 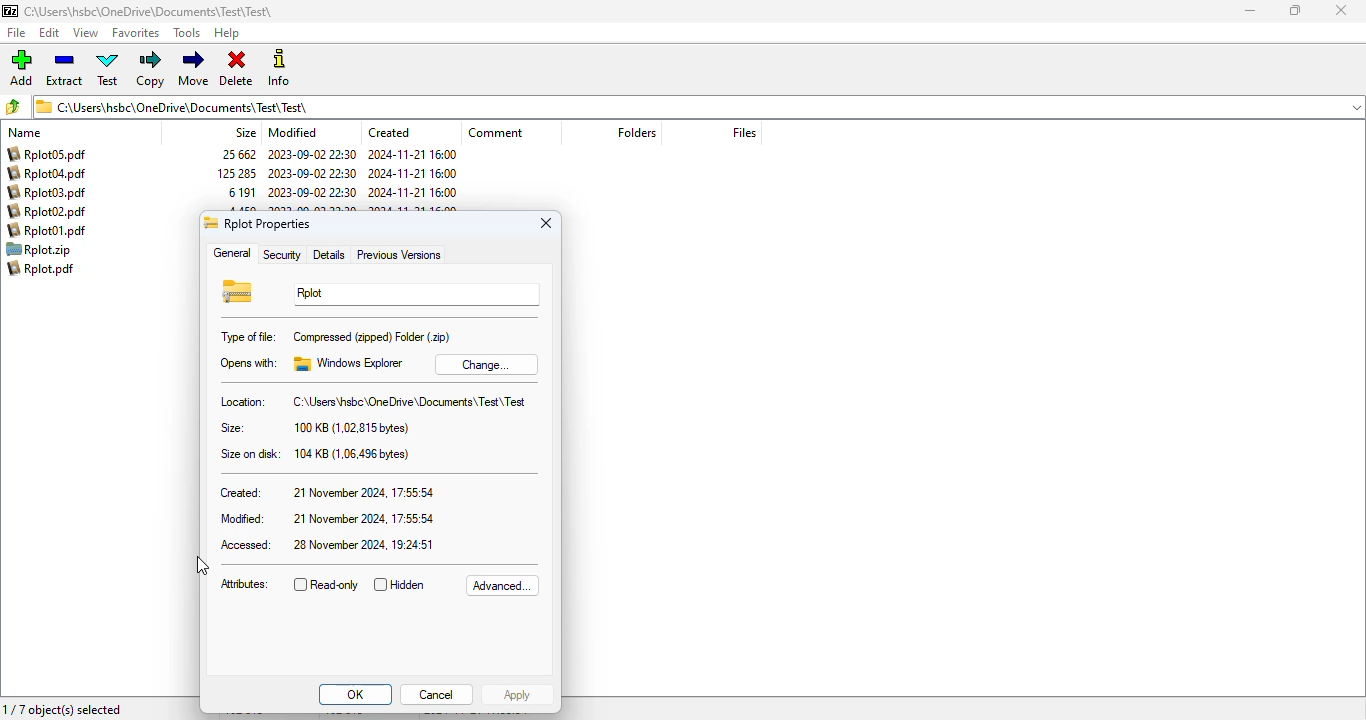 What do you see at coordinates (44, 251) in the screenshot?
I see `Rplot.zip` at bounding box center [44, 251].